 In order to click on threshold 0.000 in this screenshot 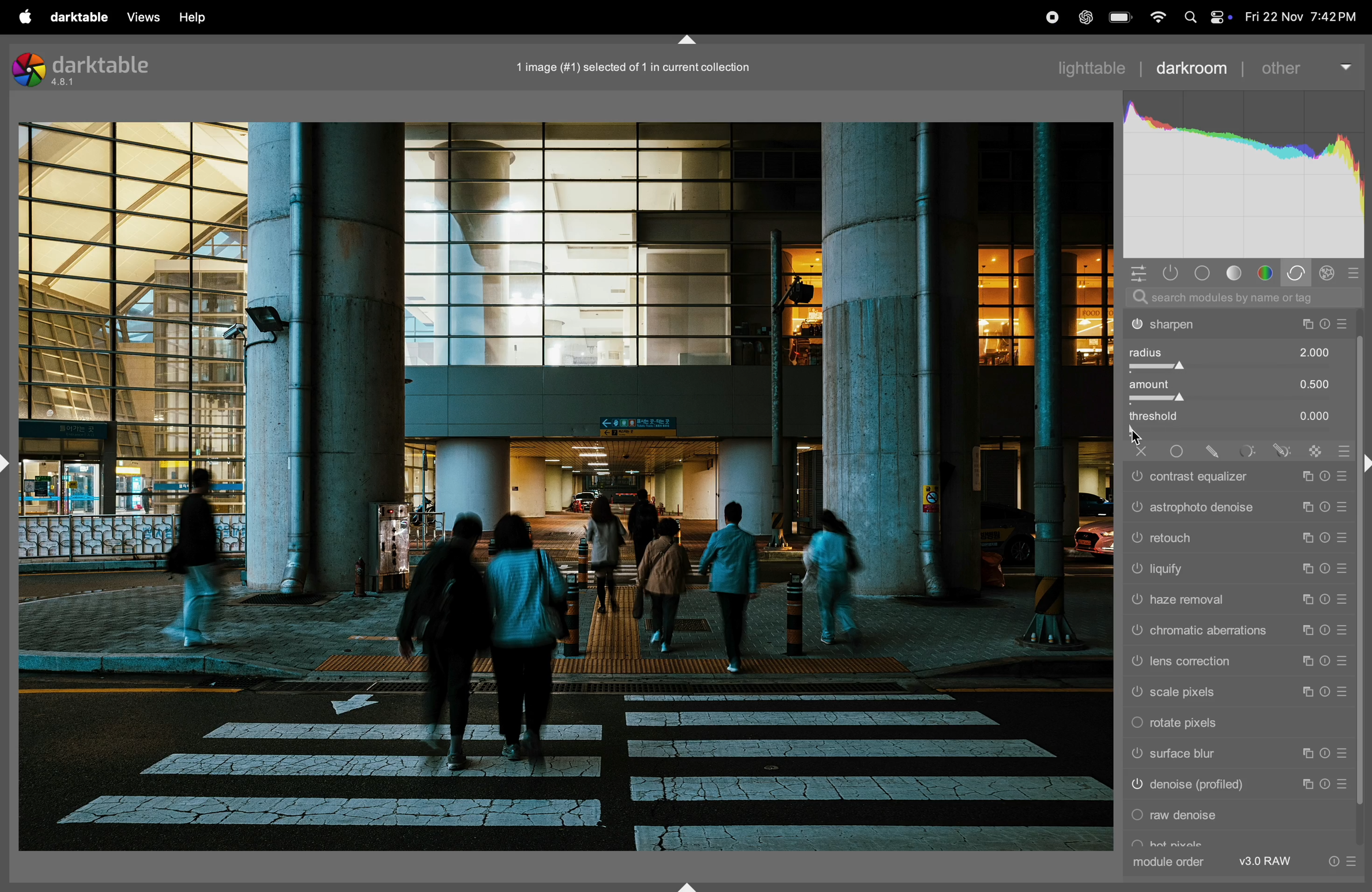, I will do `click(1239, 418)`.